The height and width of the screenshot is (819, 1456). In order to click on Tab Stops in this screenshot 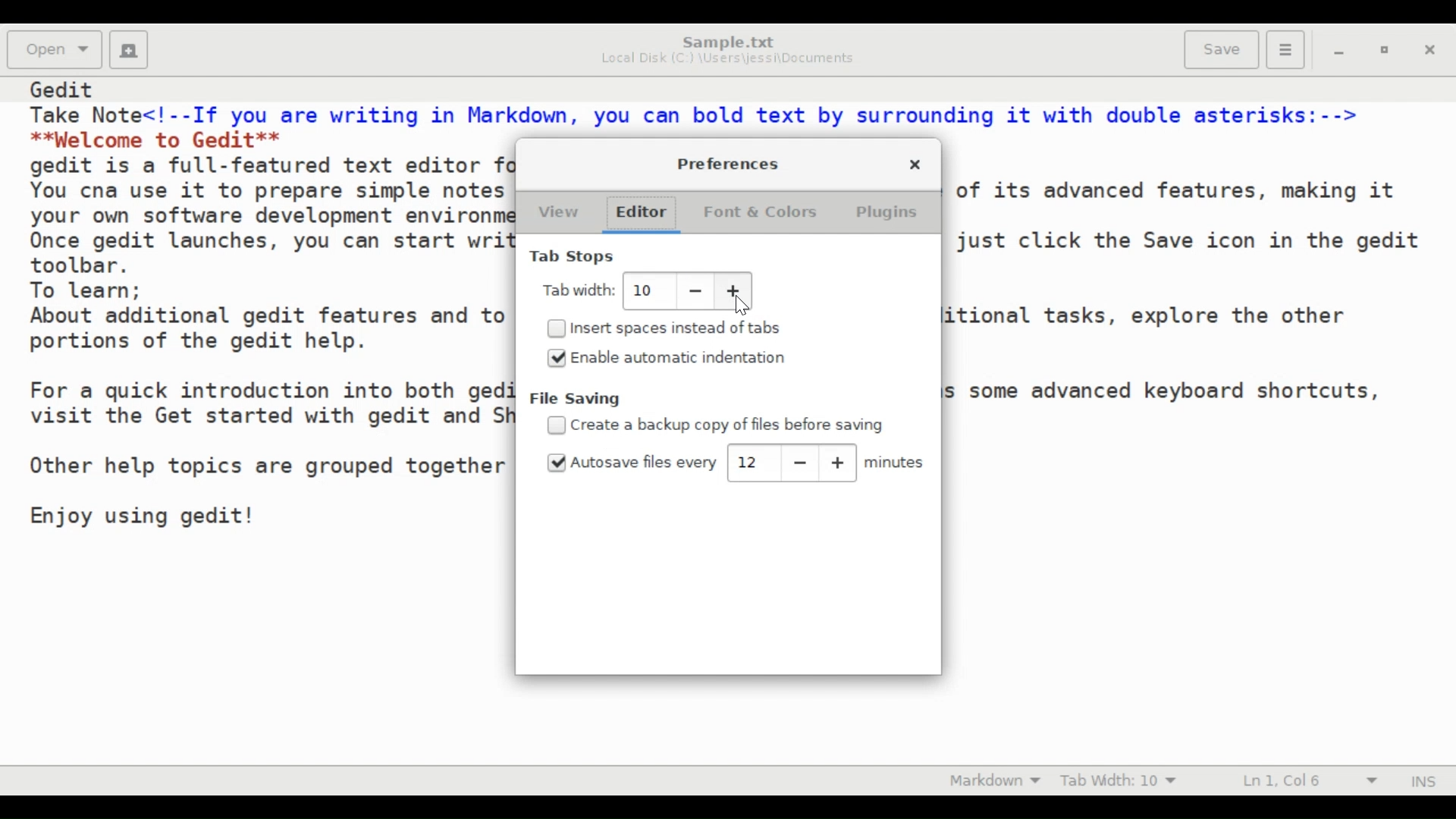, I will do `click(570, 257)`.